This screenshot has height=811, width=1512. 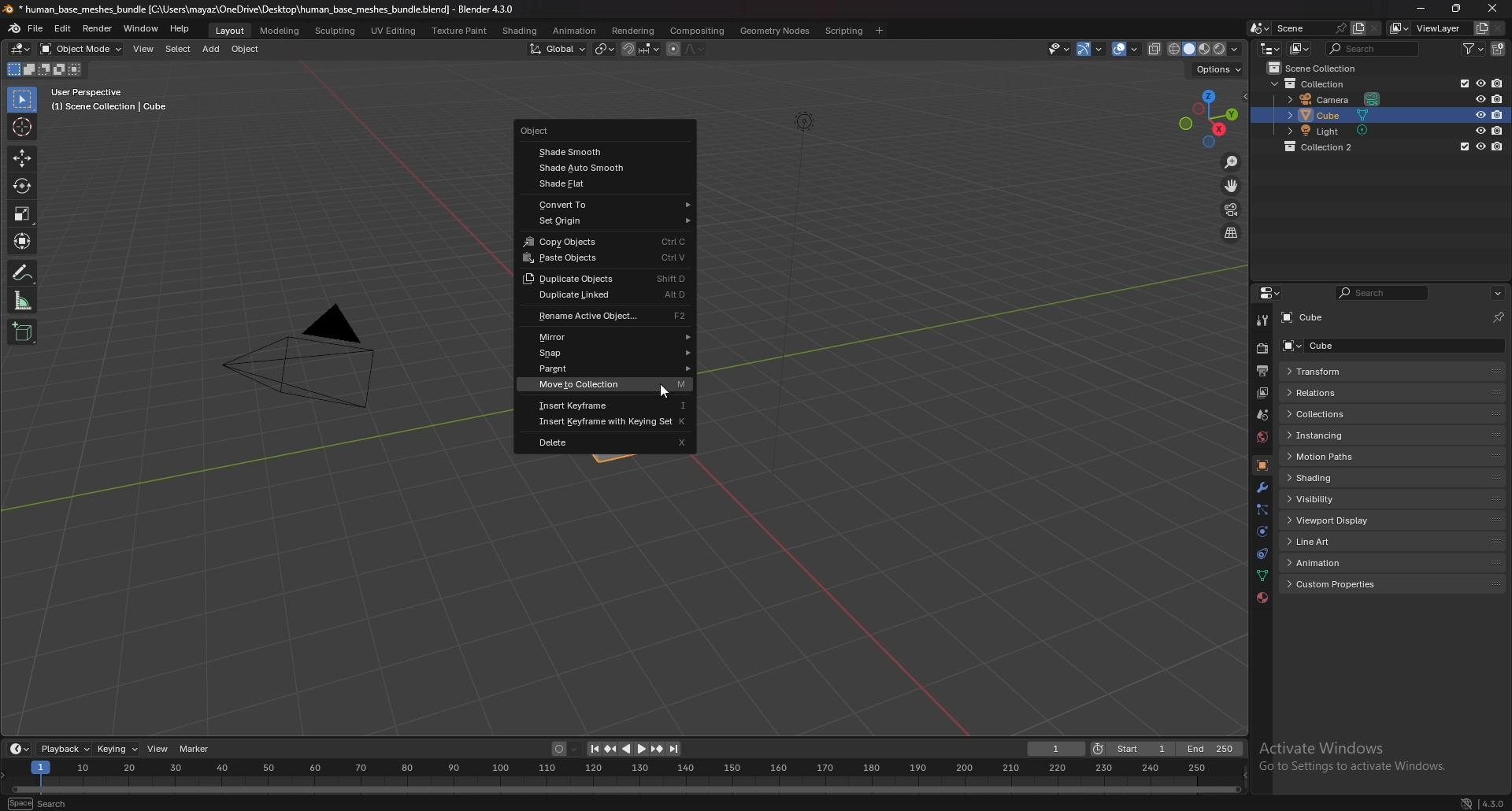 What do you see at coordinates (1318, 67) in the screenshot?
I see `scene collection` at bounding box center [1318, 67].